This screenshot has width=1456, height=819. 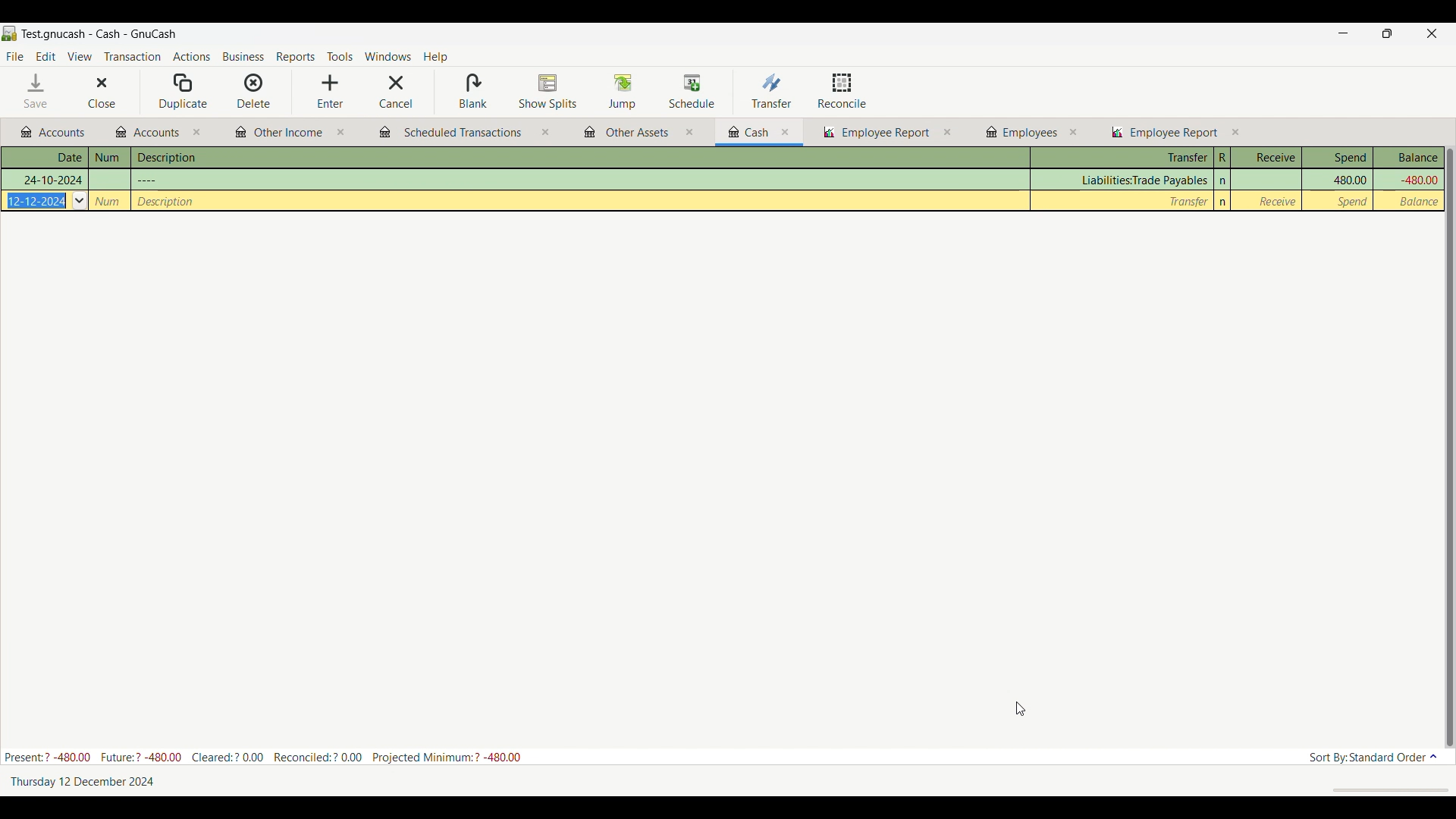 I want to click on Help menu, so click(x=435, y=58).